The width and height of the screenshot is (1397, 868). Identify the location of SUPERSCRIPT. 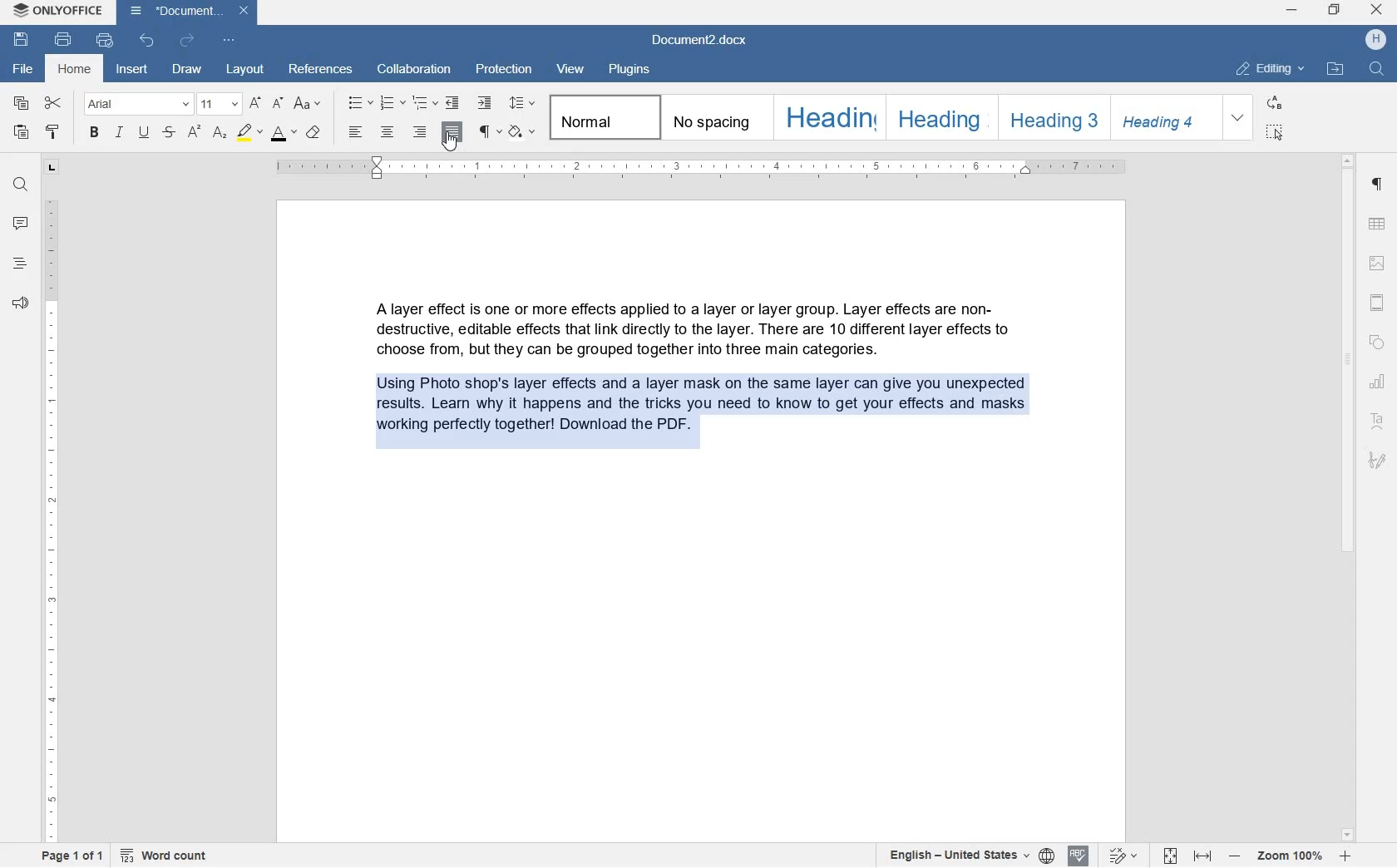
(194, 133).